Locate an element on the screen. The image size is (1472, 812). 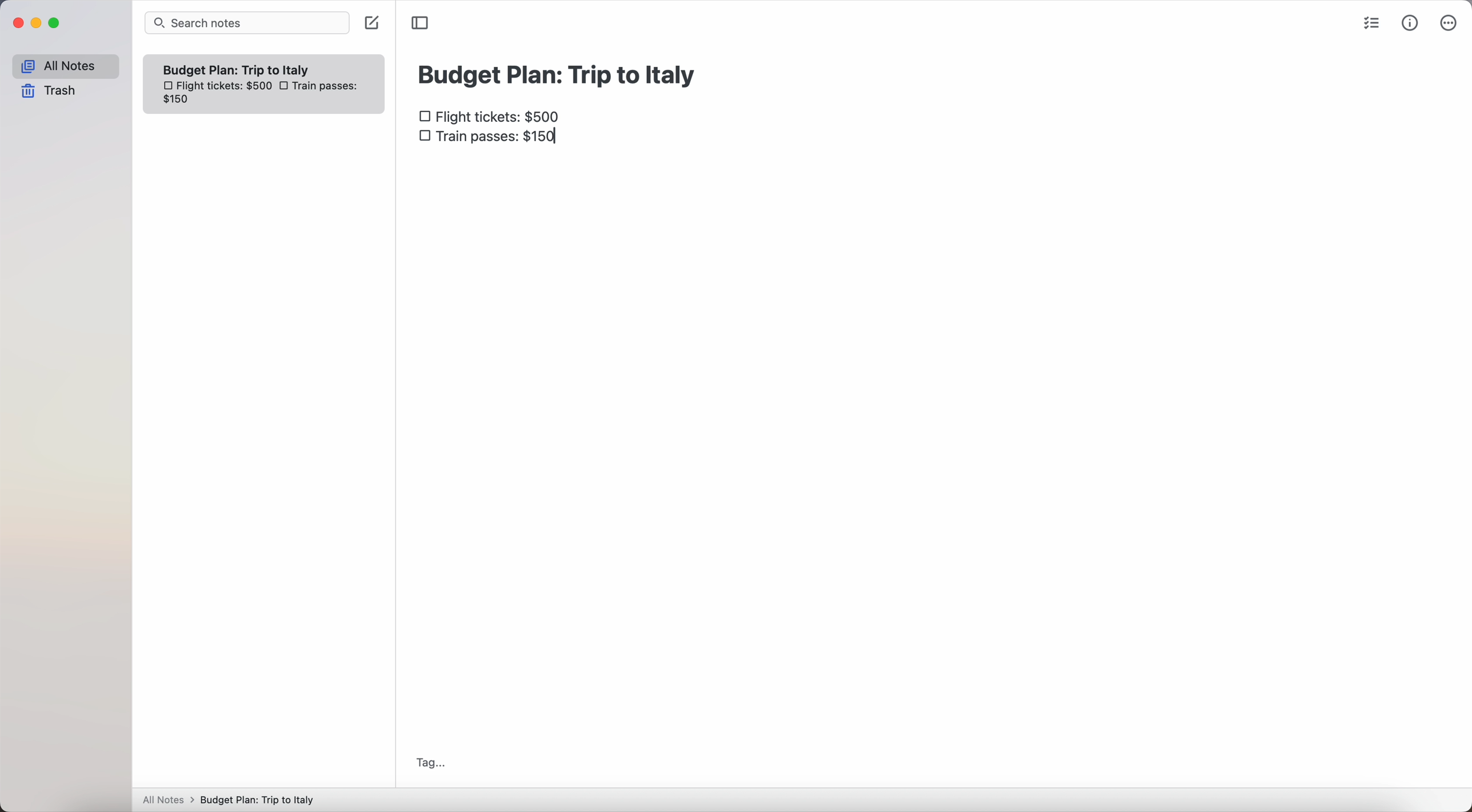
maximize is located at coordinates (57, 23).